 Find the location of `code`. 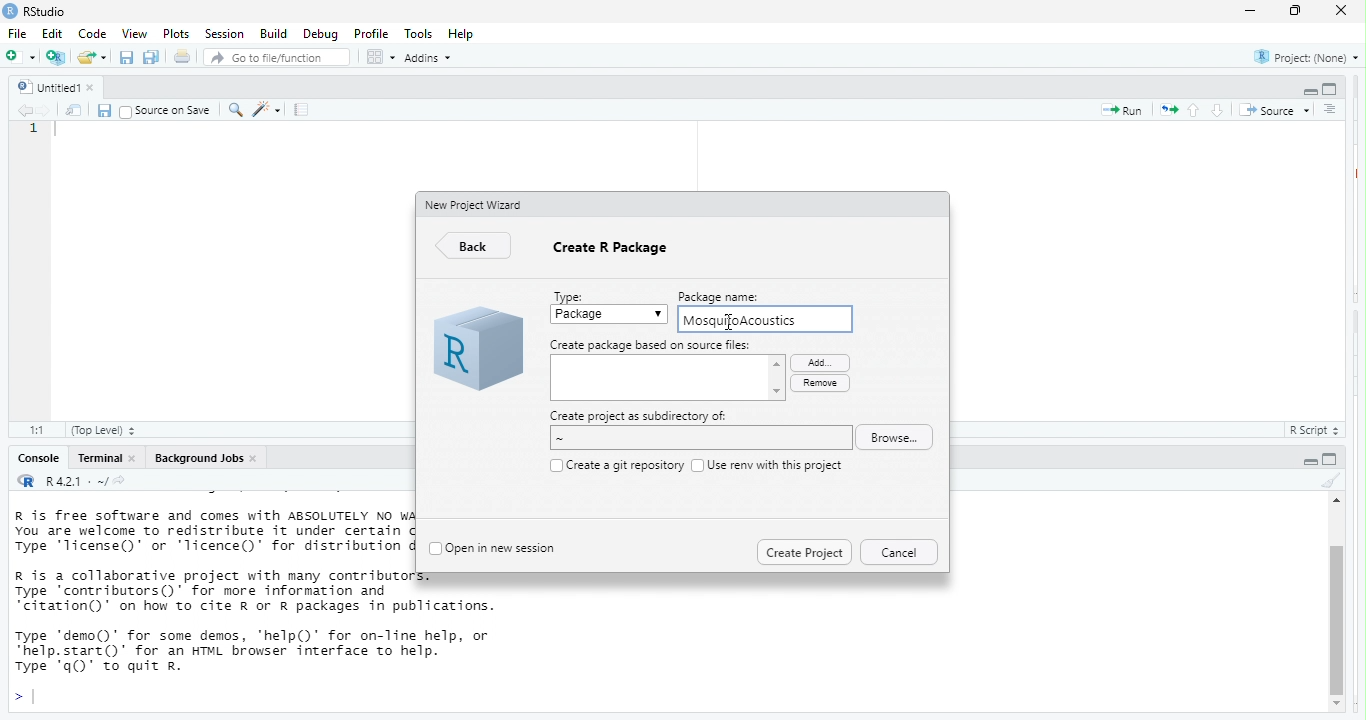

code is located at coordinates (94, 35).